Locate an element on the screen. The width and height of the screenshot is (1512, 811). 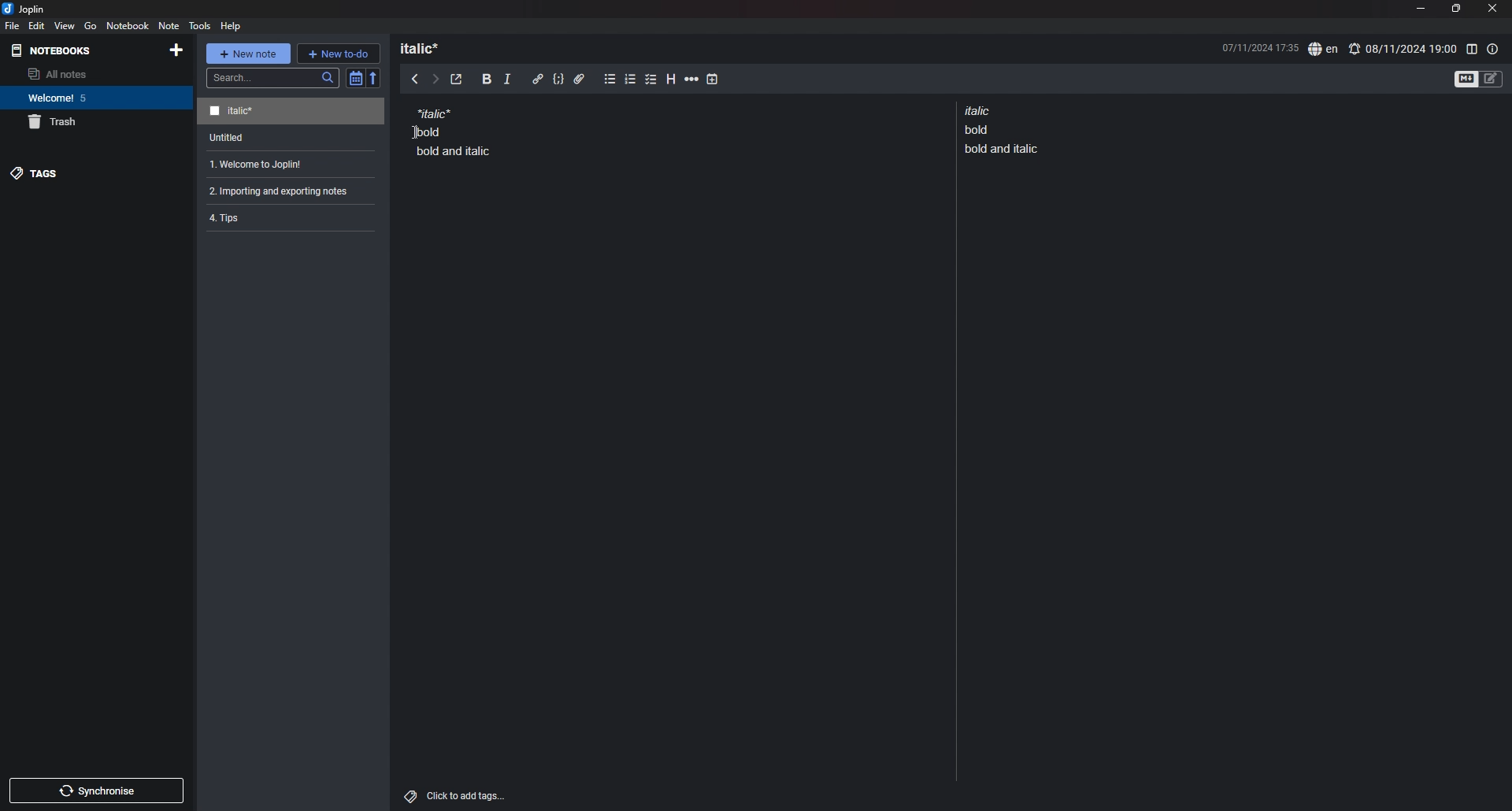
toggle editor layout is located at coordinates (1471, 49).